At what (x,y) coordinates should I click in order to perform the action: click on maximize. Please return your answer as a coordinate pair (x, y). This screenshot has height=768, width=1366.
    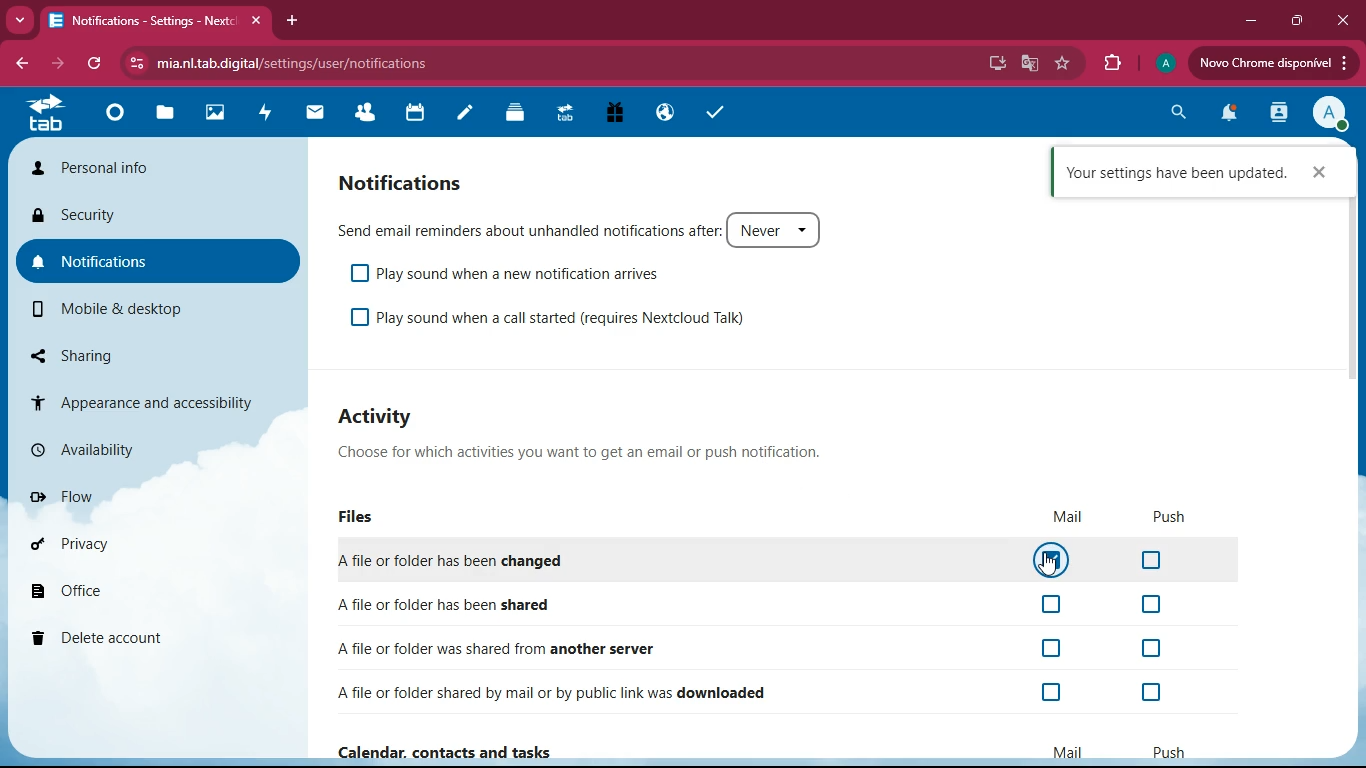
    Looking at the image, I should click on (1299, 21).